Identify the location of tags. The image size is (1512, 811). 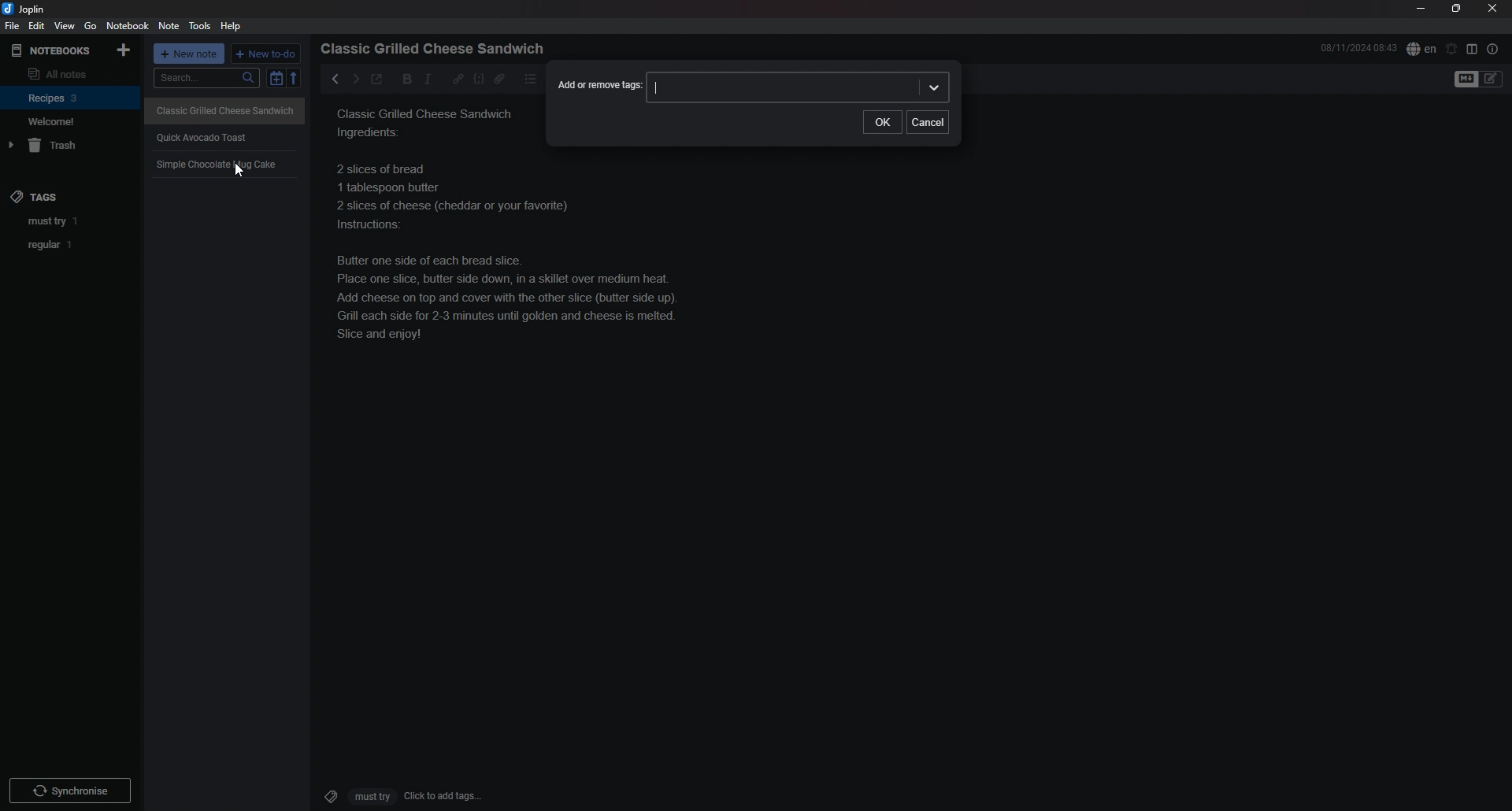
(36, 192).